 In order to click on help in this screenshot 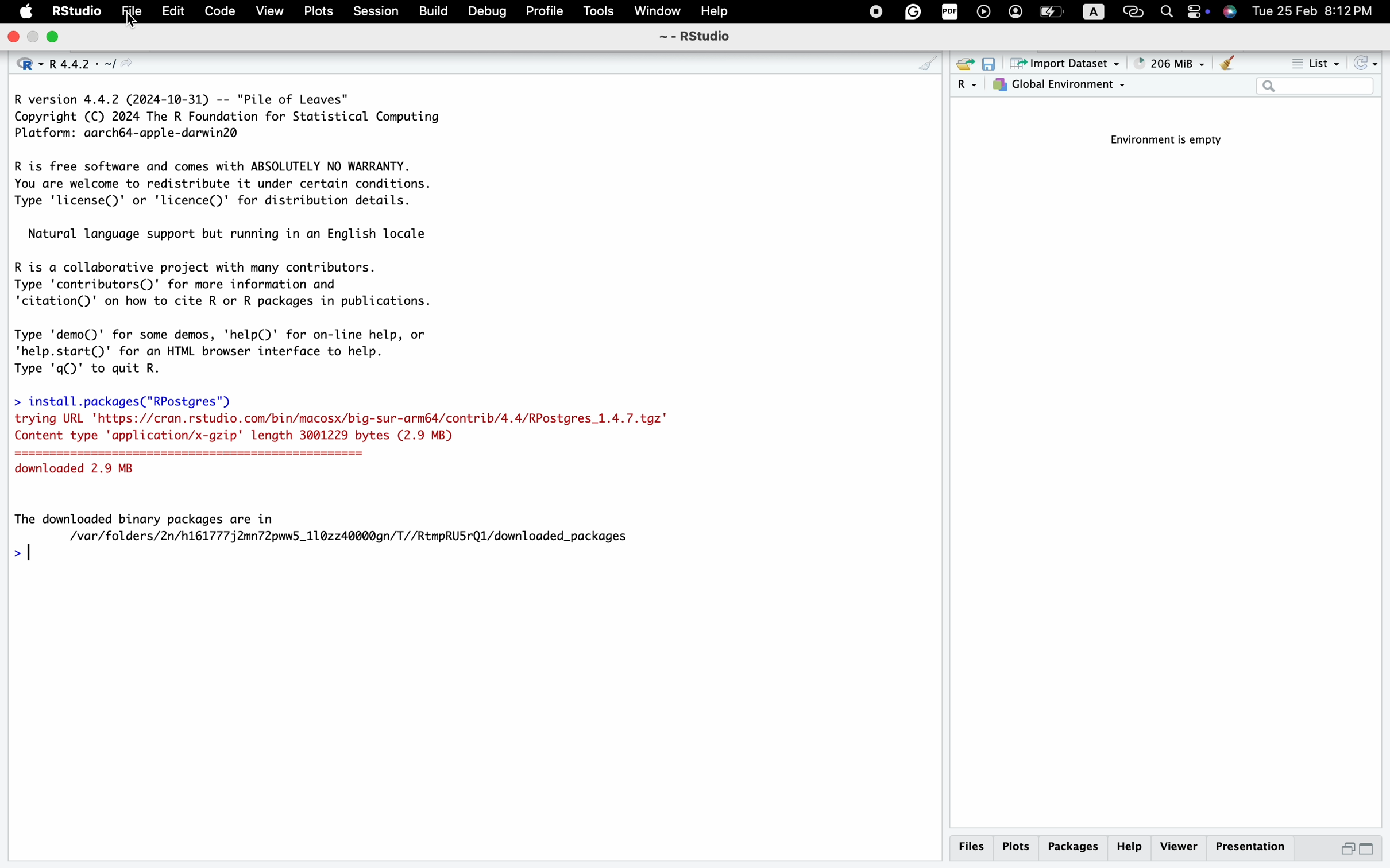, I will do `click(717, 11)`.